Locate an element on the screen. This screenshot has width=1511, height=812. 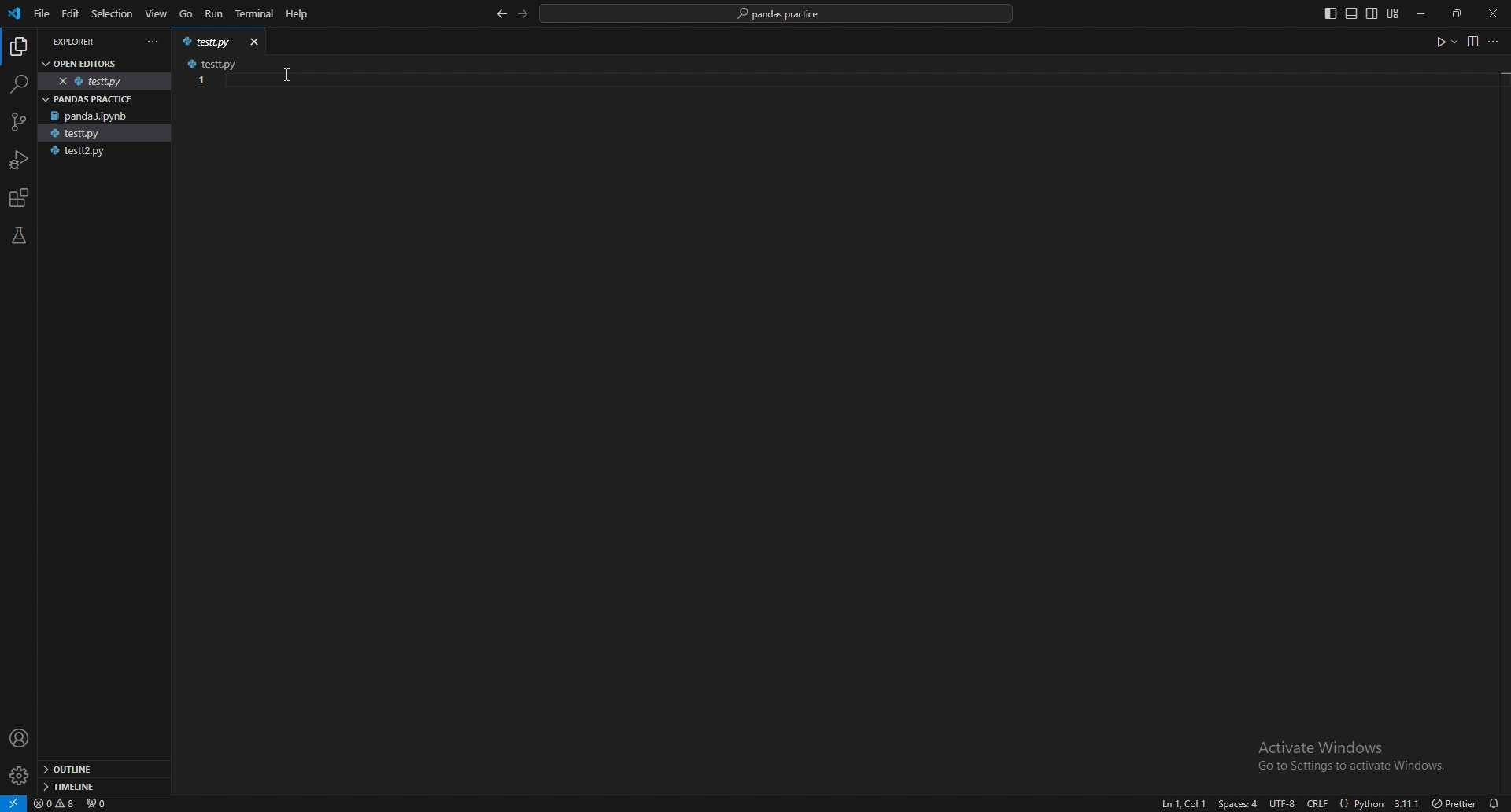
search is located at coordinates (17, 84).